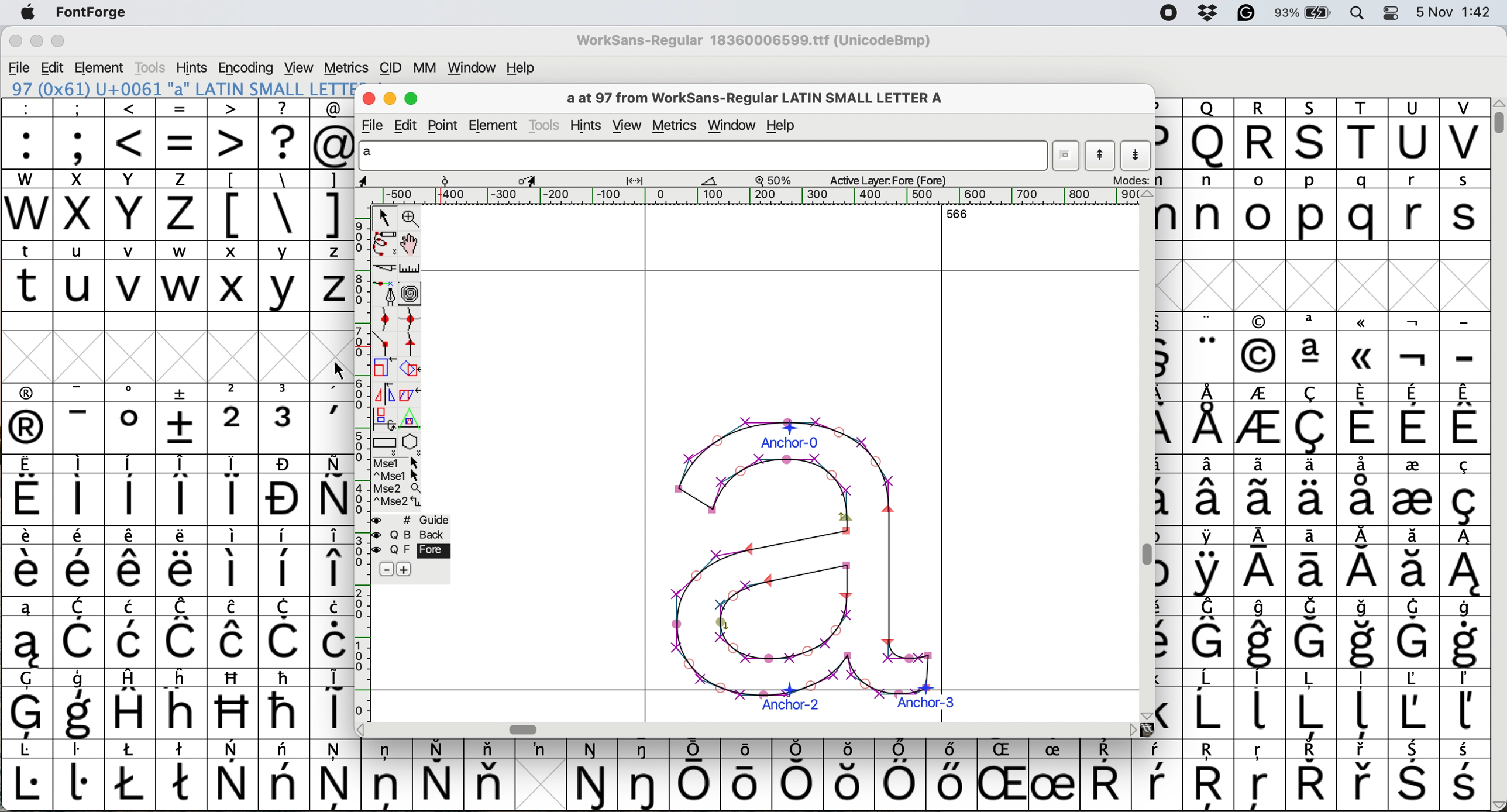 The height and width of the screenshot is (812, 1507). I want to click on , so click(850, 775).